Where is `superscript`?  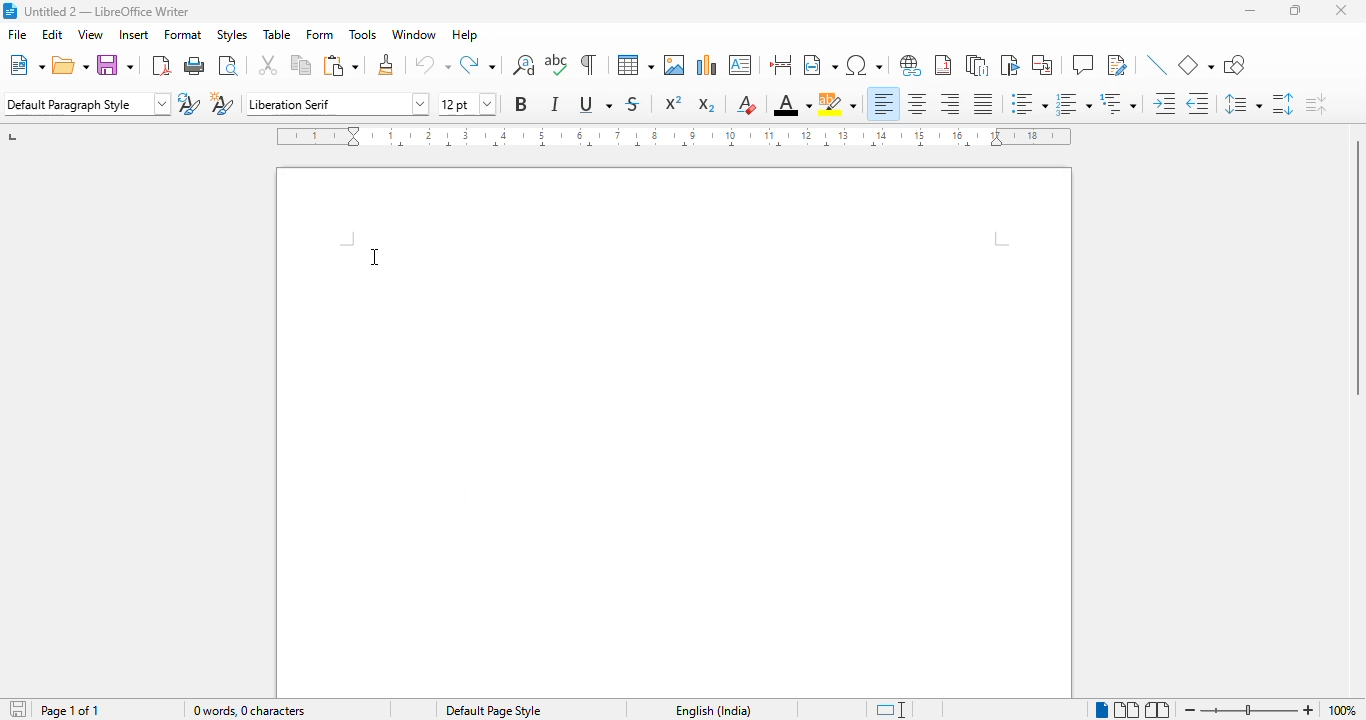
superscript is located at coordinates (674, 101).